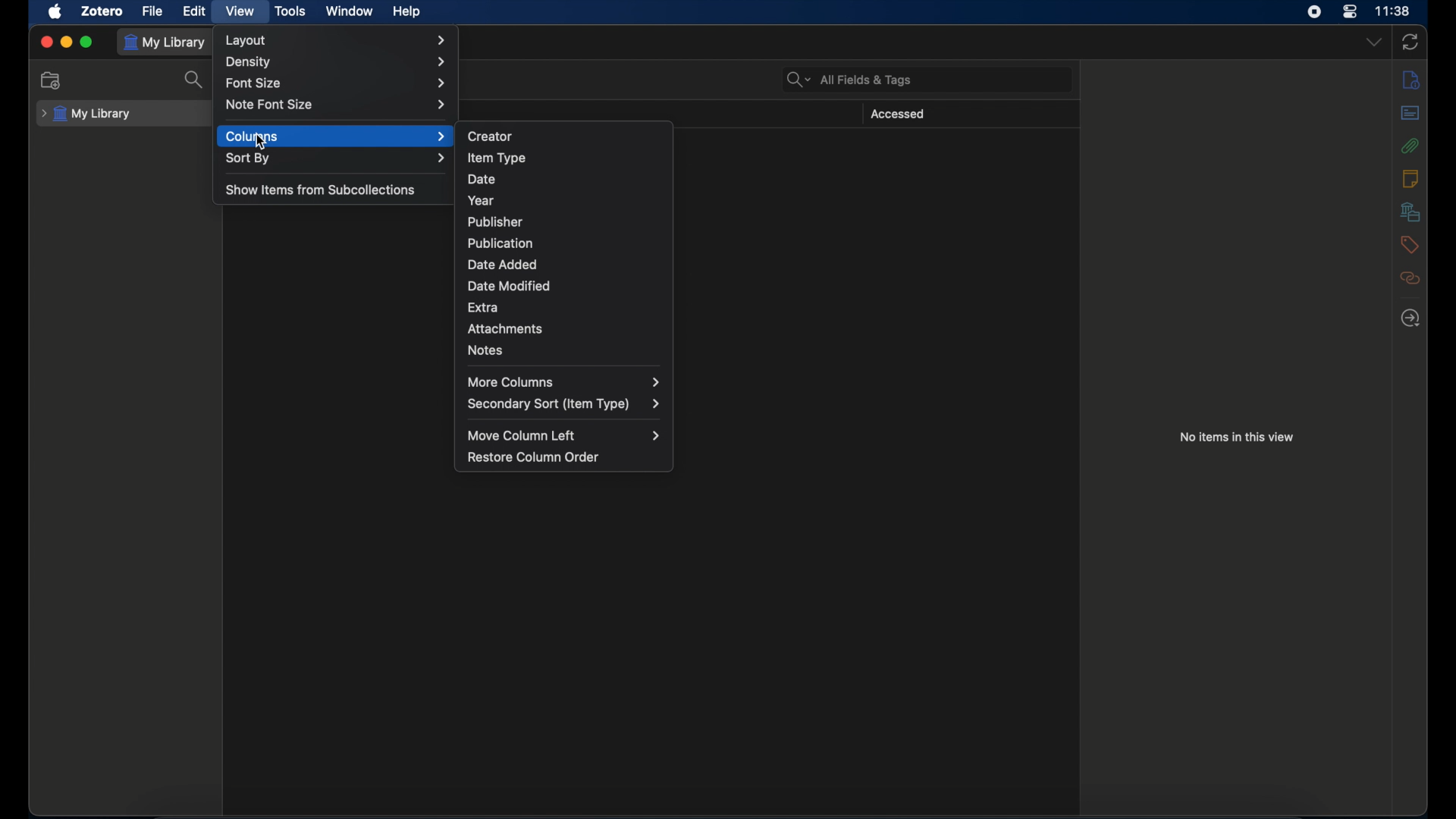 This screenshot has height=819, width=1456. I want to click on density, so click(337, 62).